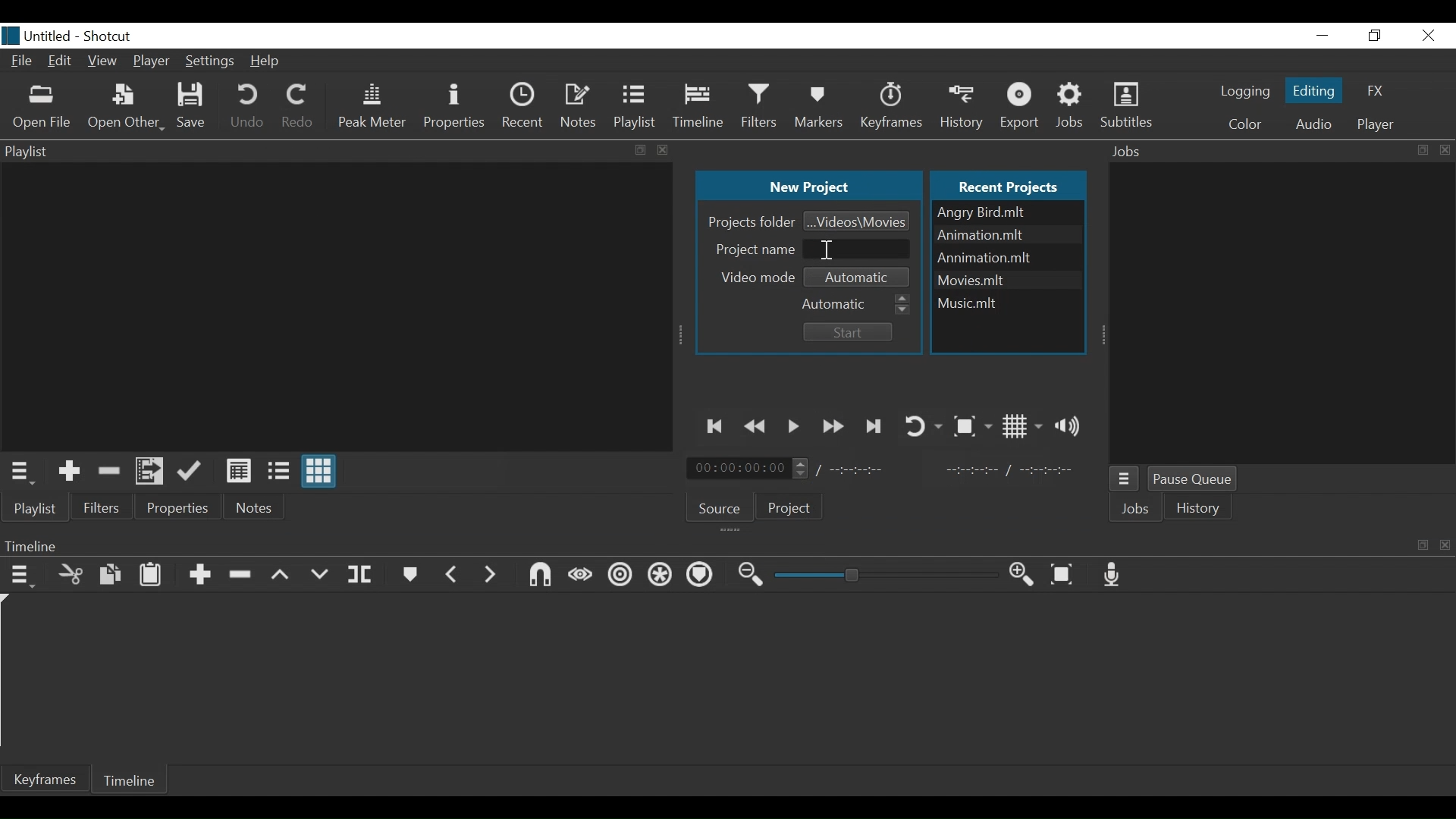  What do you see at coordinates (1373, 124) in the screenshot?
I see `player` at bounding box center [1373, 124].